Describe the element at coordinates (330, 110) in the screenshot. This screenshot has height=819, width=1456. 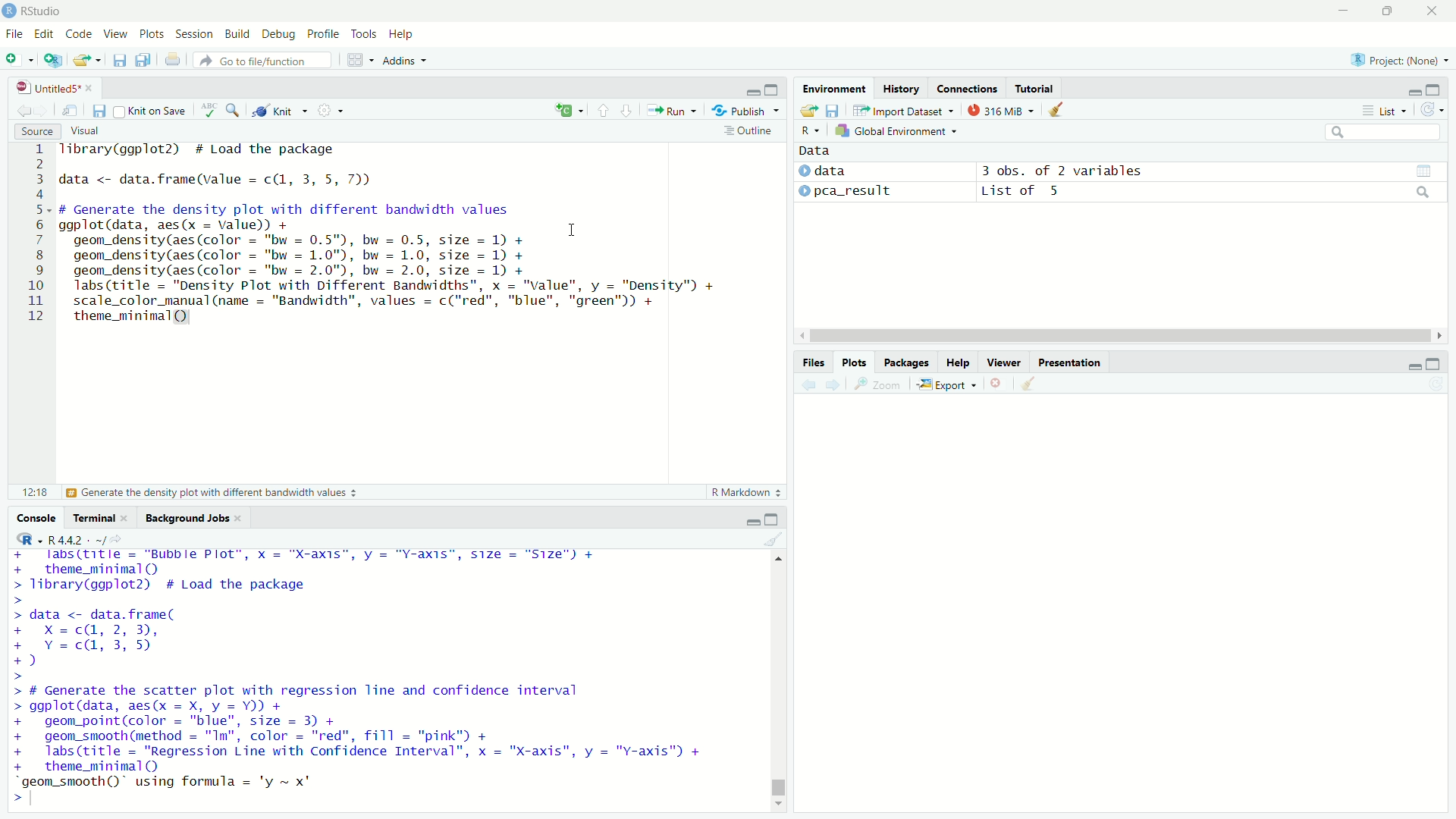
I see `More options` at that location.